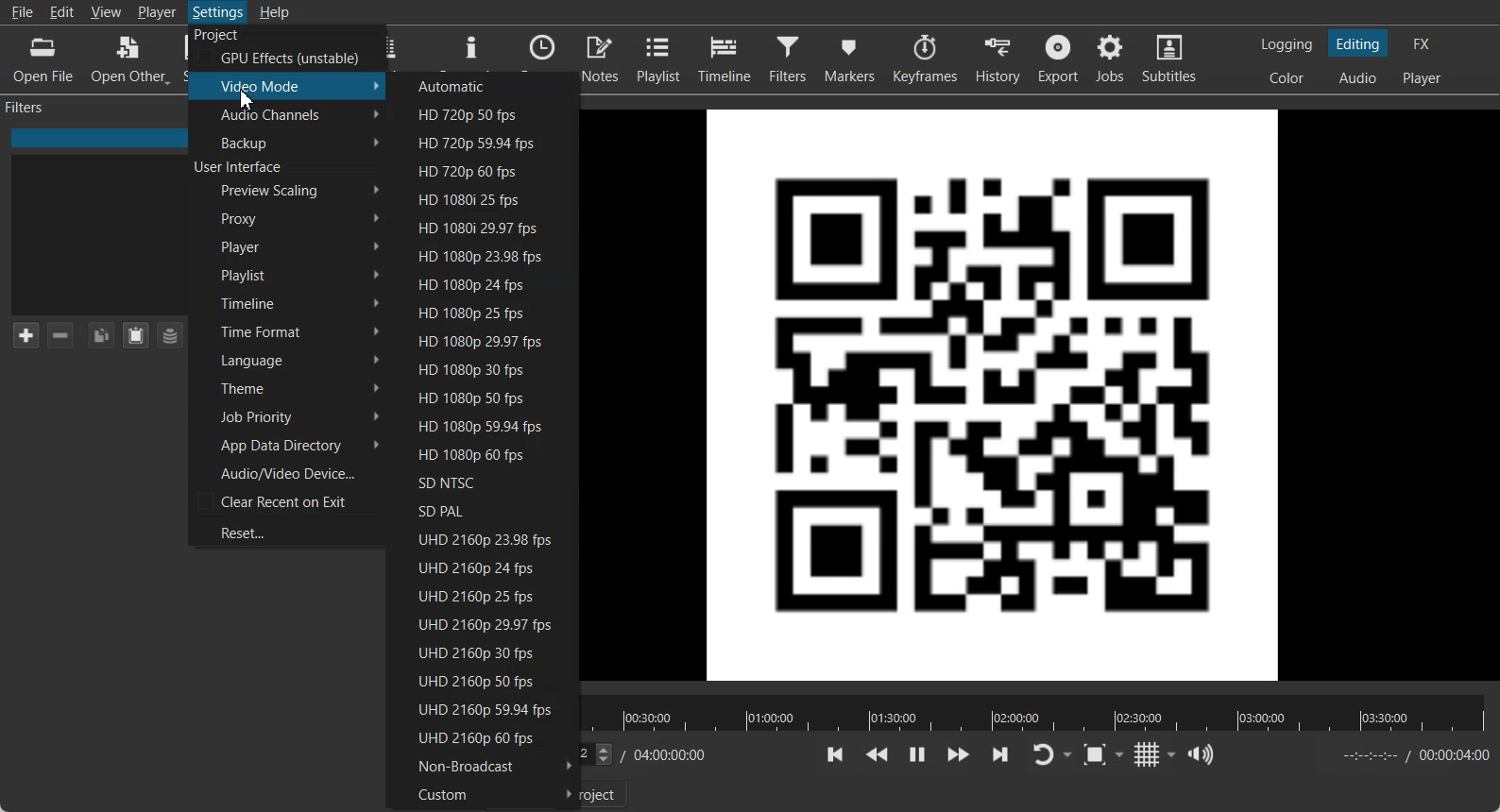  What do you see at coordinates (482, 793) in the screenshot?
I see `Custom` at bounding box center [482, 793].